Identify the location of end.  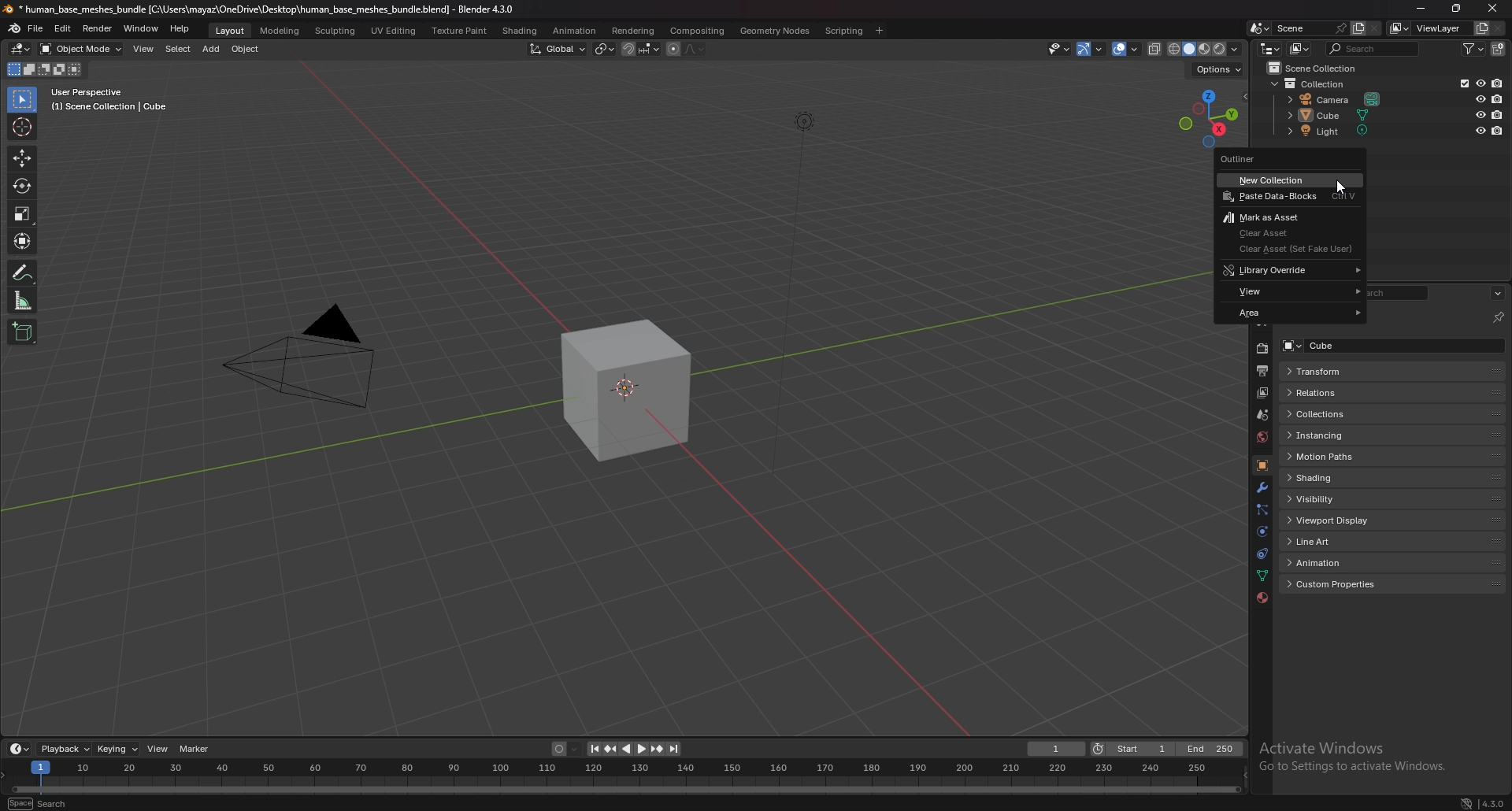
(1210, 749).